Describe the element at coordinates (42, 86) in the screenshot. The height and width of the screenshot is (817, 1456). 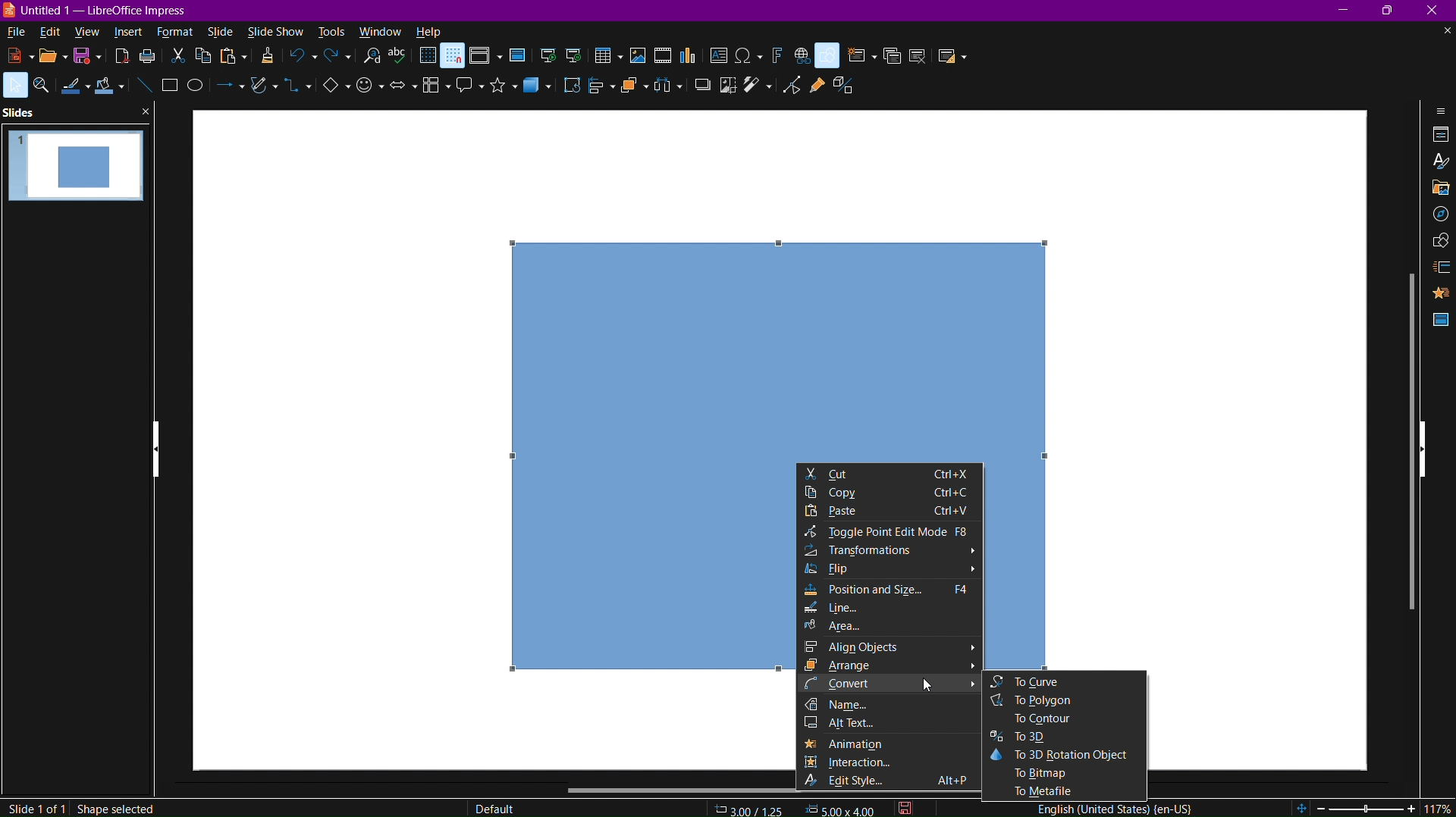
I see `Zoom` at that location.